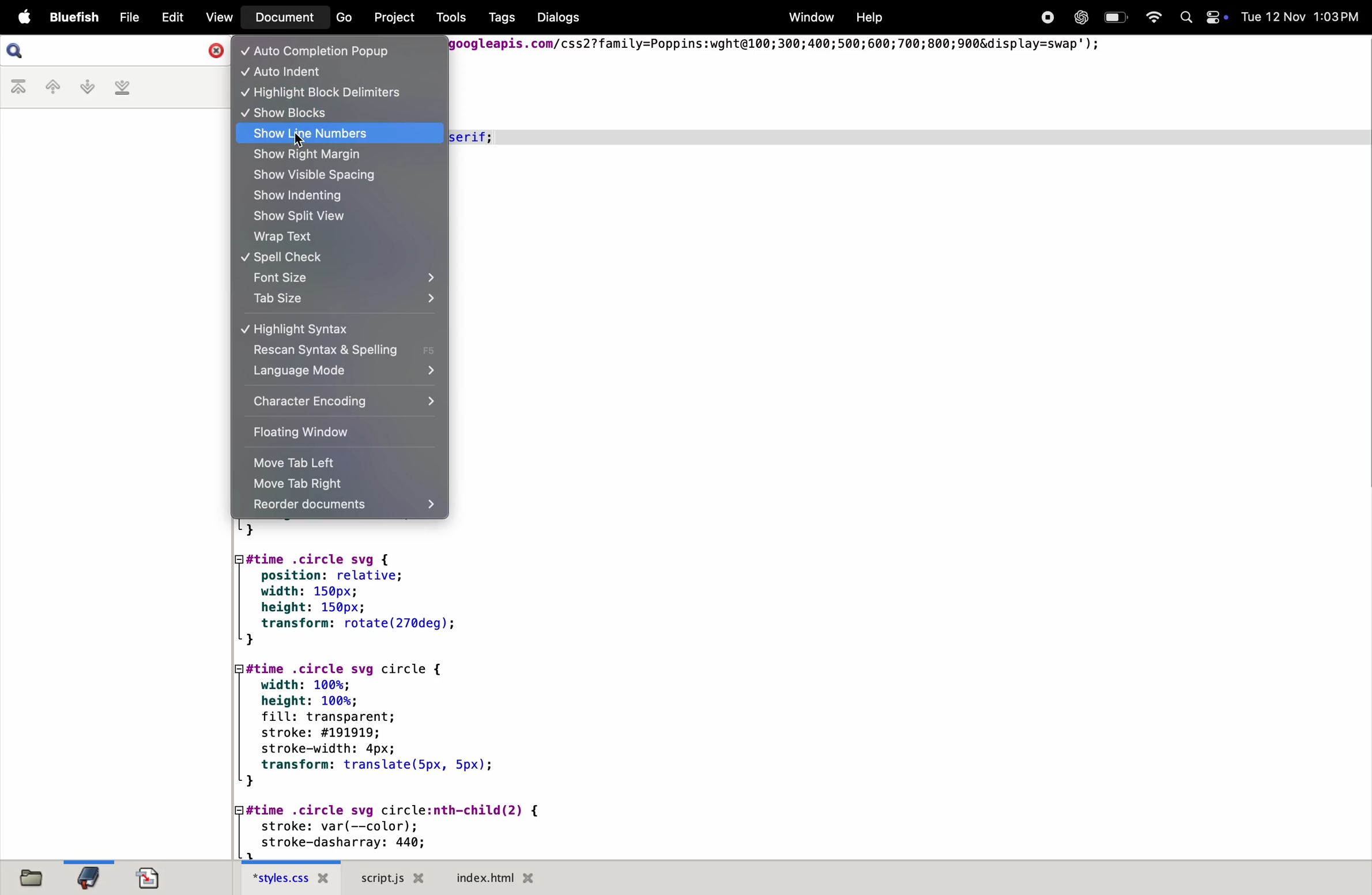 The height and width of the screenshot is (895, 1372). What do you see at coordinates (338, 156) in the screenshot?
I see `show right margin` at bounding box center [338, 156].